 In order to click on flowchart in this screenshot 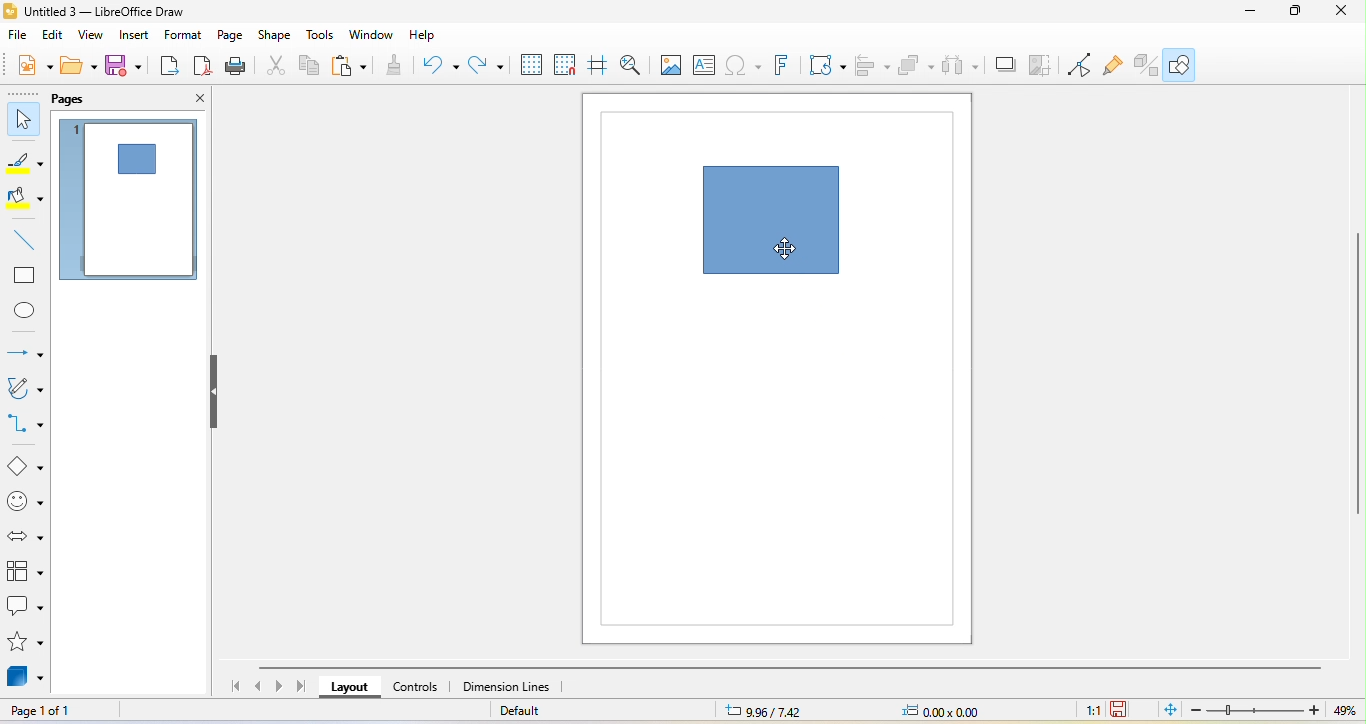, I will do `click(25, 571)`.